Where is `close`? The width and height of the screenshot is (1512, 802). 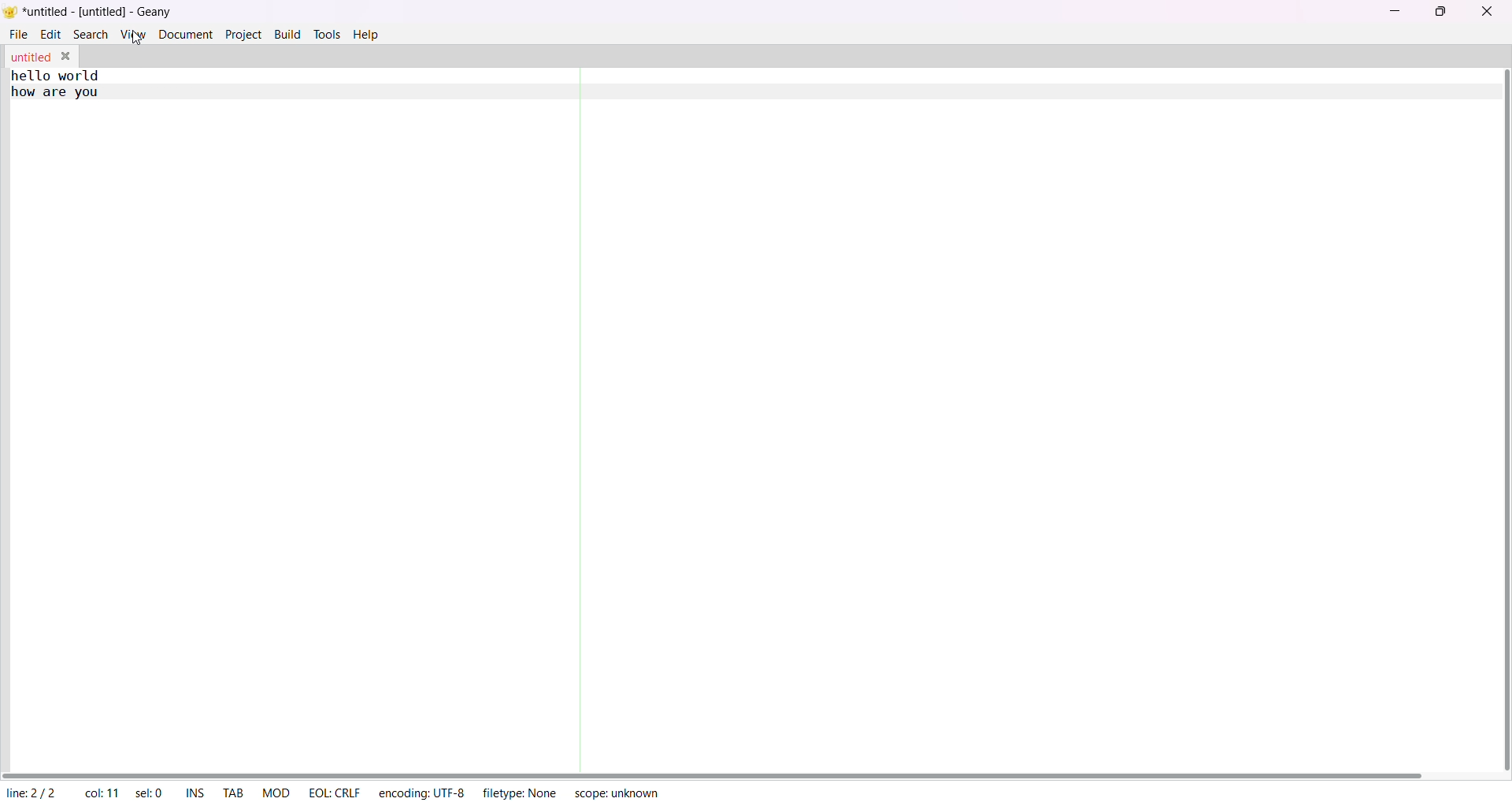 close is located at coordinates (1486, 12).